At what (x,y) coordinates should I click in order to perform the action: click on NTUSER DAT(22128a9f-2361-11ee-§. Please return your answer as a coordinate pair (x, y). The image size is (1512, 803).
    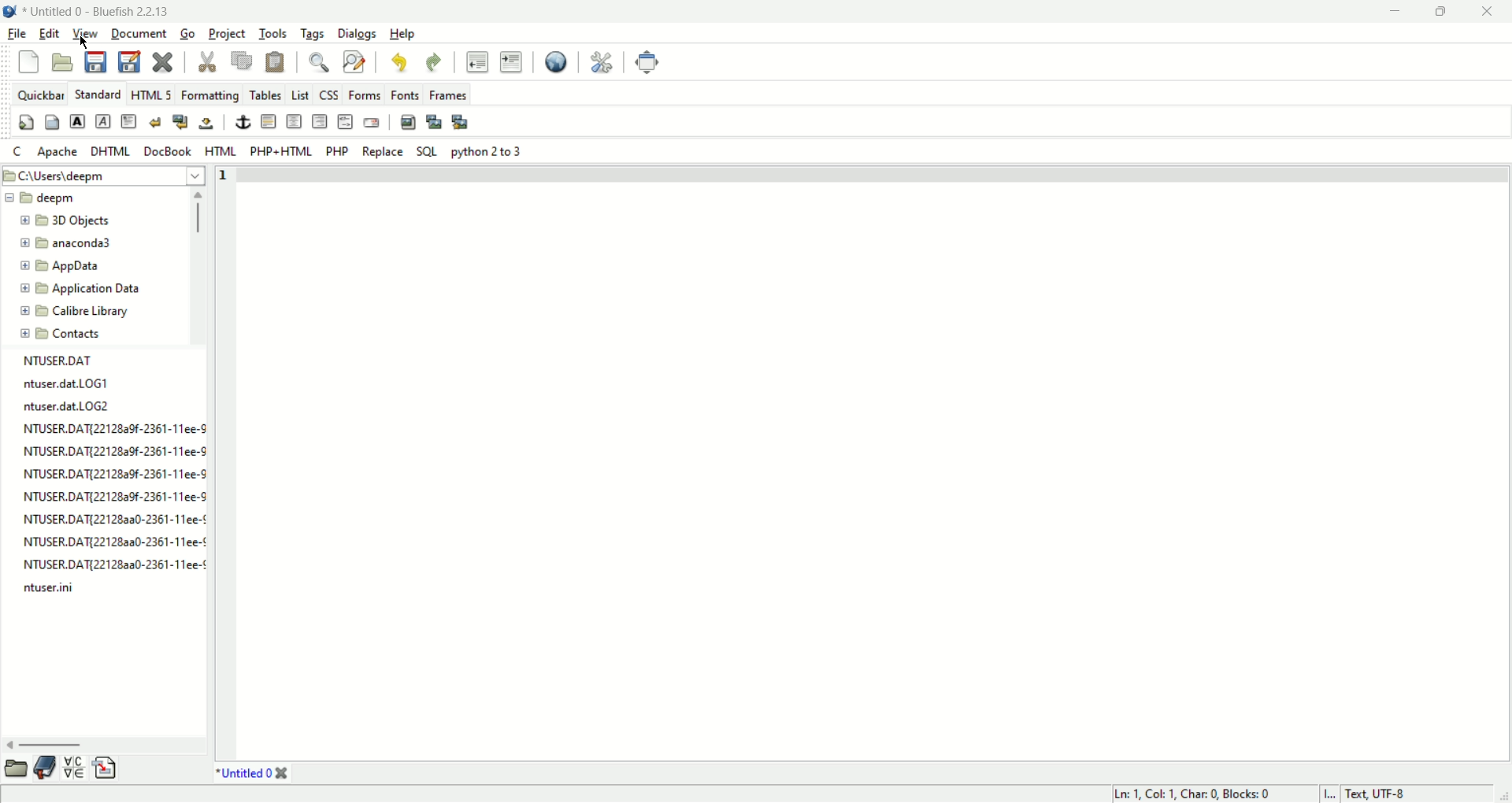
    Looking at the image, I should click on (113, 430).